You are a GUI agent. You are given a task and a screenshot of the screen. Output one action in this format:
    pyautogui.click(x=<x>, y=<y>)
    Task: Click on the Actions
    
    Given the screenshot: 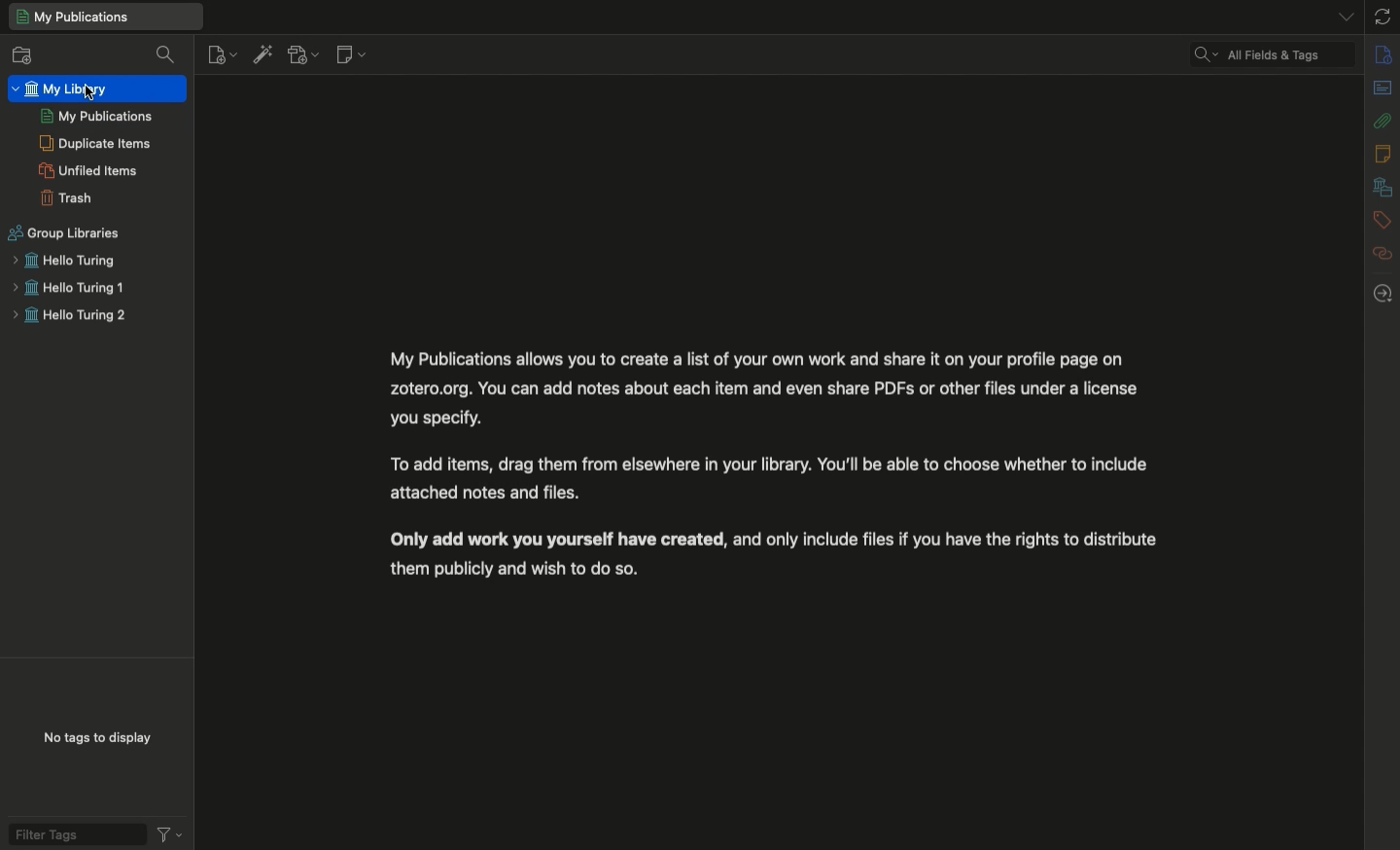 What is the action you would take?
    pyautogui.click(x=168, y=832)
    